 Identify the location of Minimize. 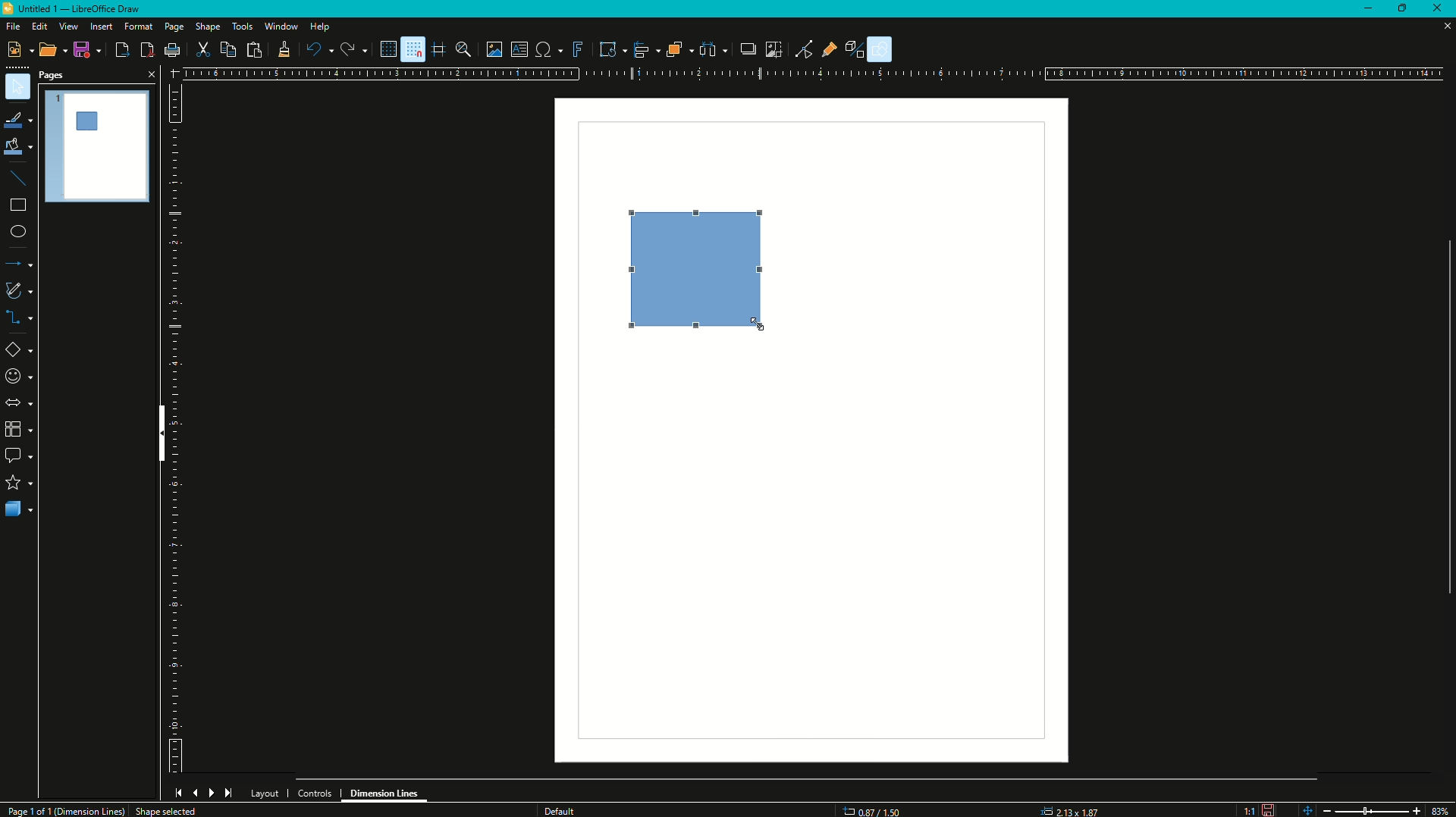
(1367, 9).